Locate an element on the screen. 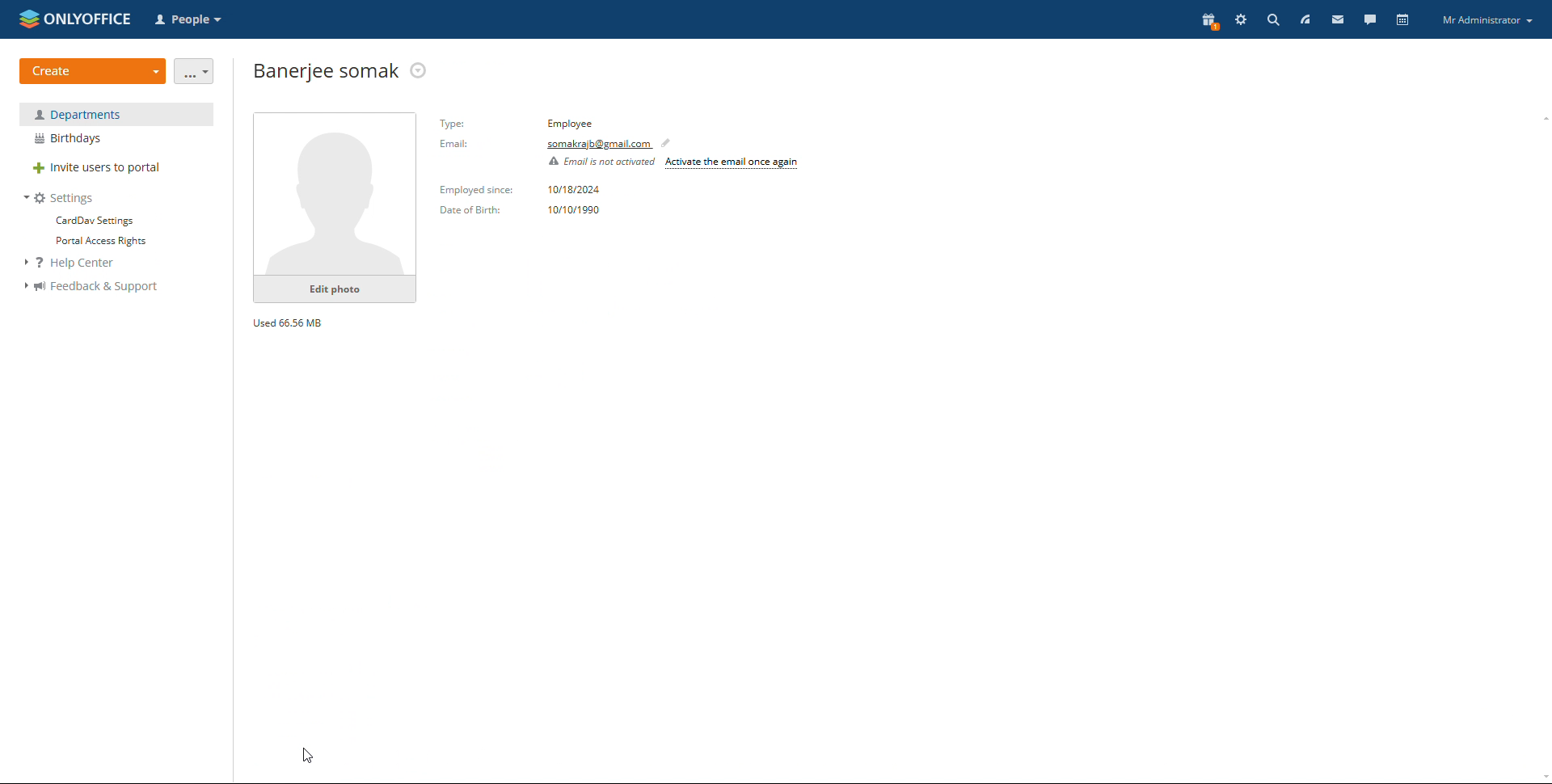 This screenshot has width=1552, height=784. invite users to portal is located at coordinates (116, 169).